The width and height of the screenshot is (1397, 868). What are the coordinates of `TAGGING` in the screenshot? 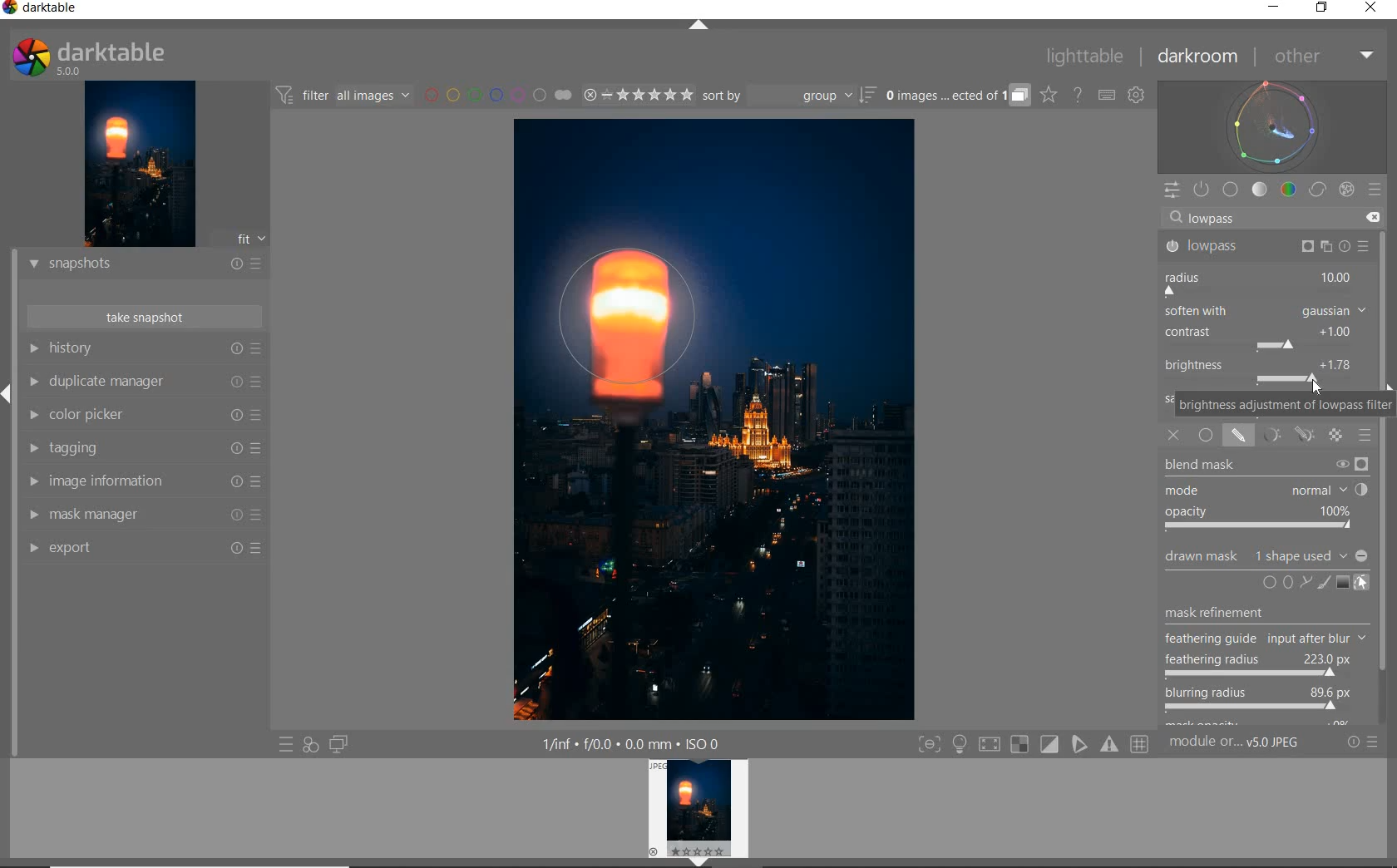 It's located at (144, 450).